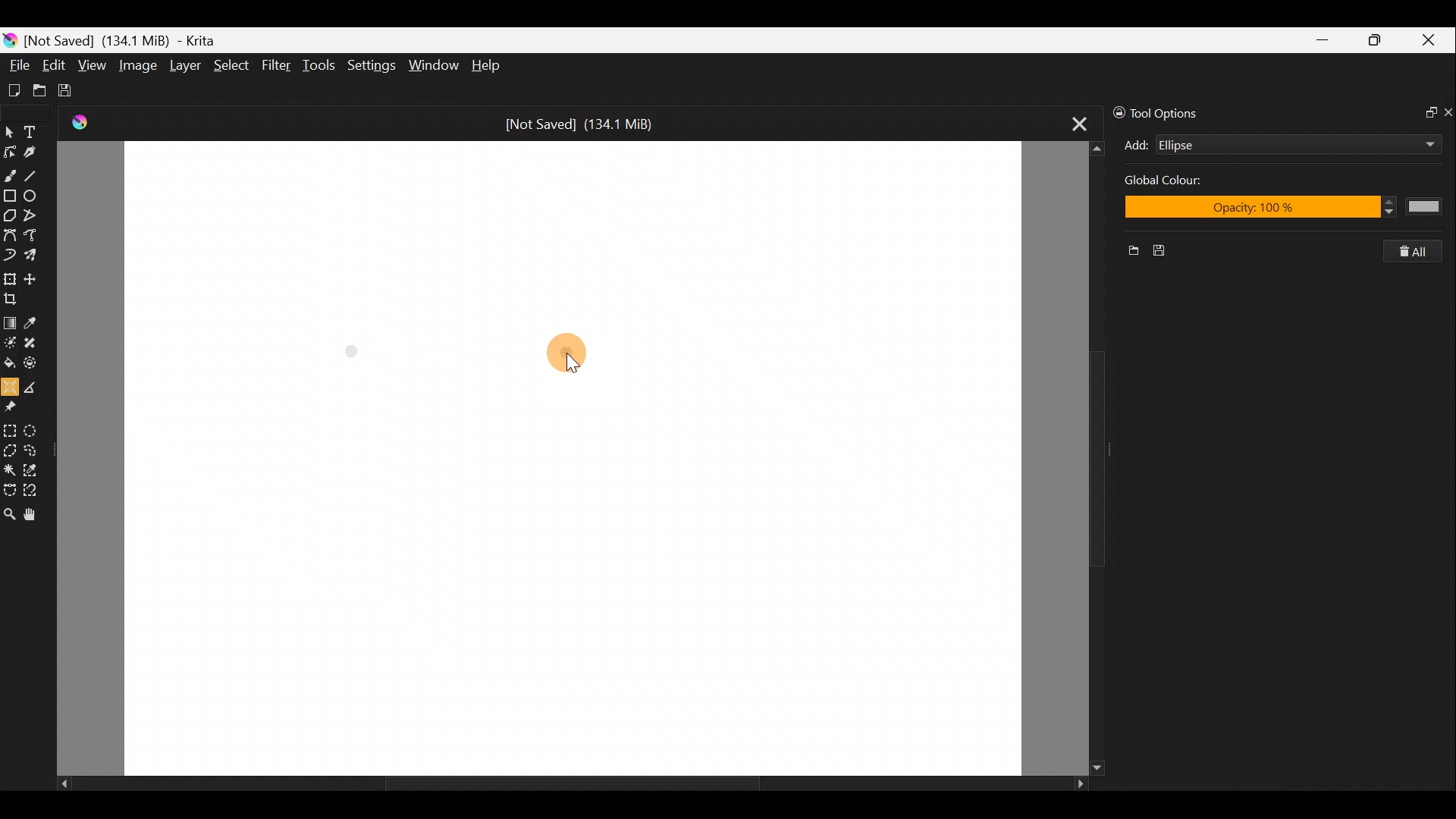 Image resolution: width=1456 pixels, height=819 pixels. What do you see at coordinates (11, 174) in the screenshot?
I see `Freehand brush tool` at bounding box center [11, 174].